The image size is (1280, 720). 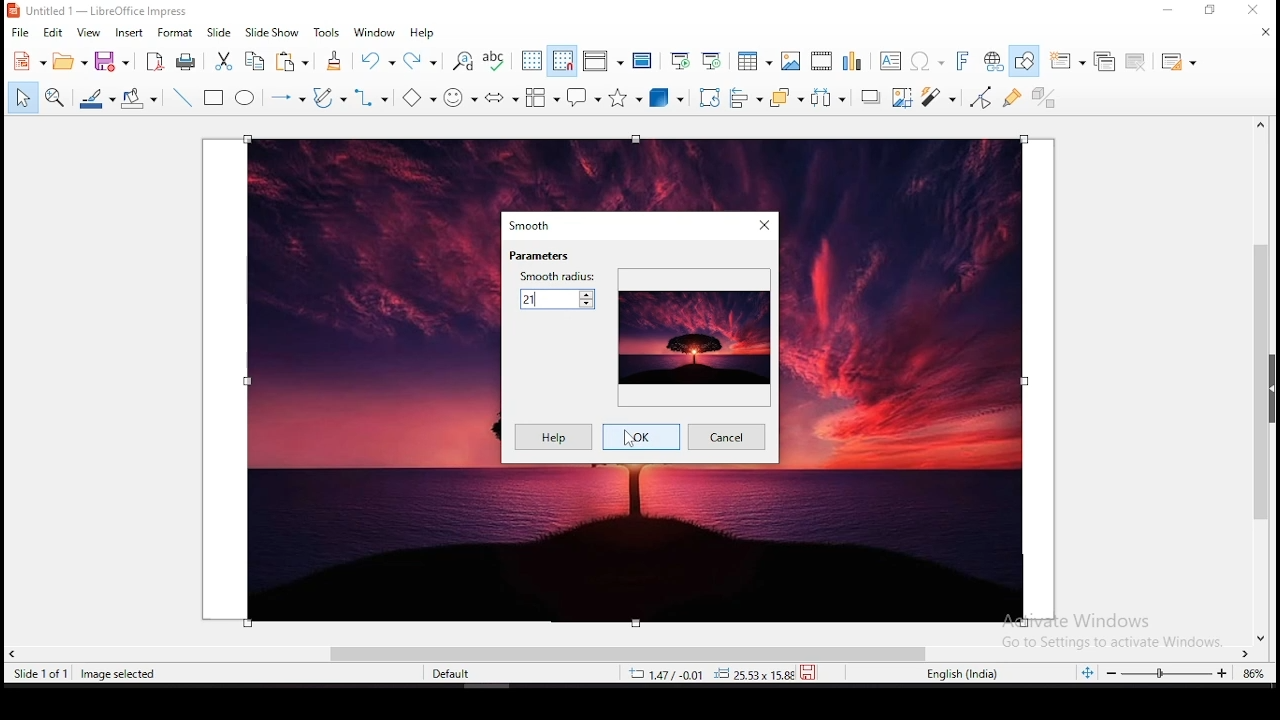 I want to click on new tool, so click(x=28, y=64).